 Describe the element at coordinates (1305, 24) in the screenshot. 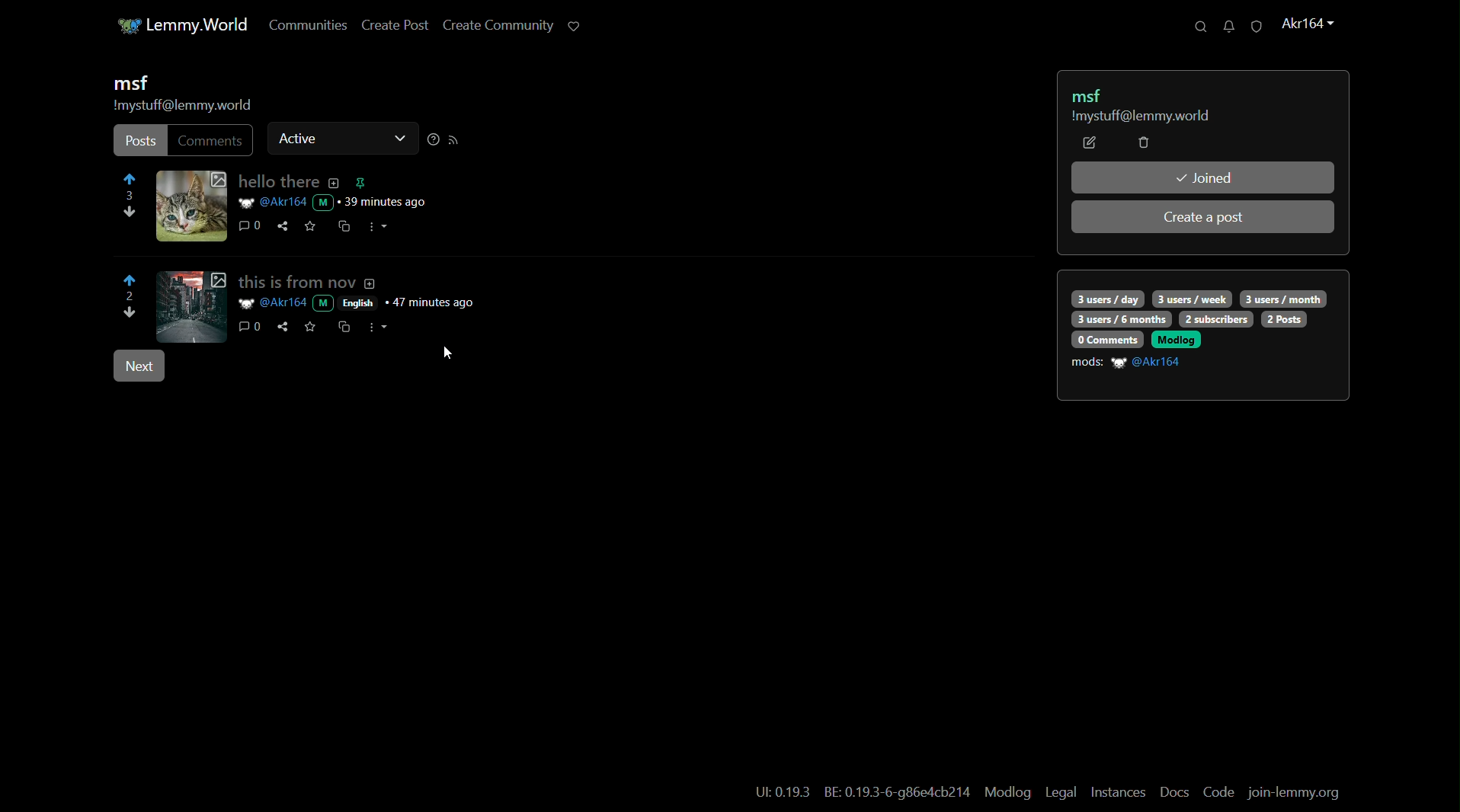

I see `profile` at that location.